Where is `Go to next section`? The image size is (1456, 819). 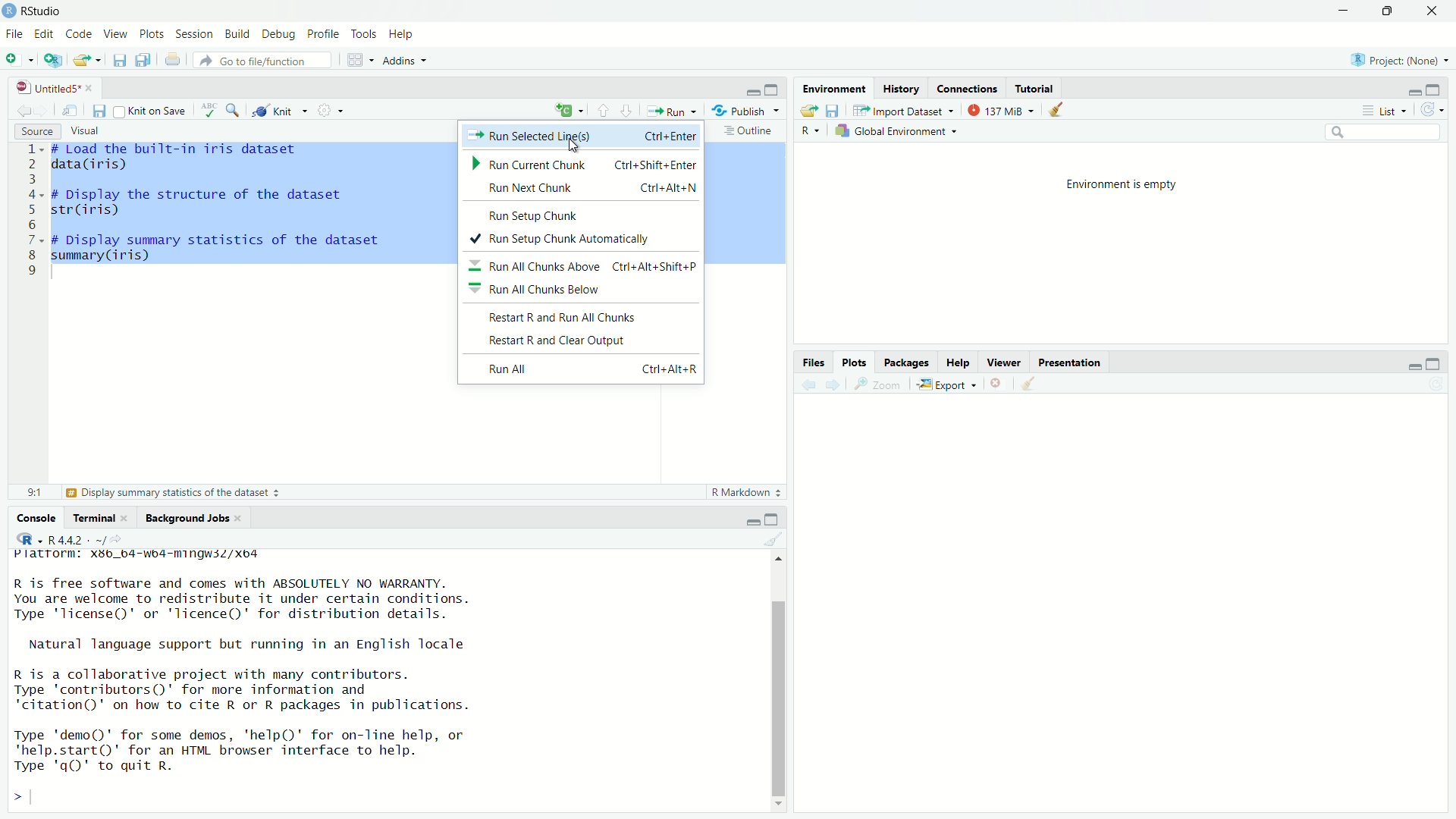 Go to next section is located at coordinates (628, 111).